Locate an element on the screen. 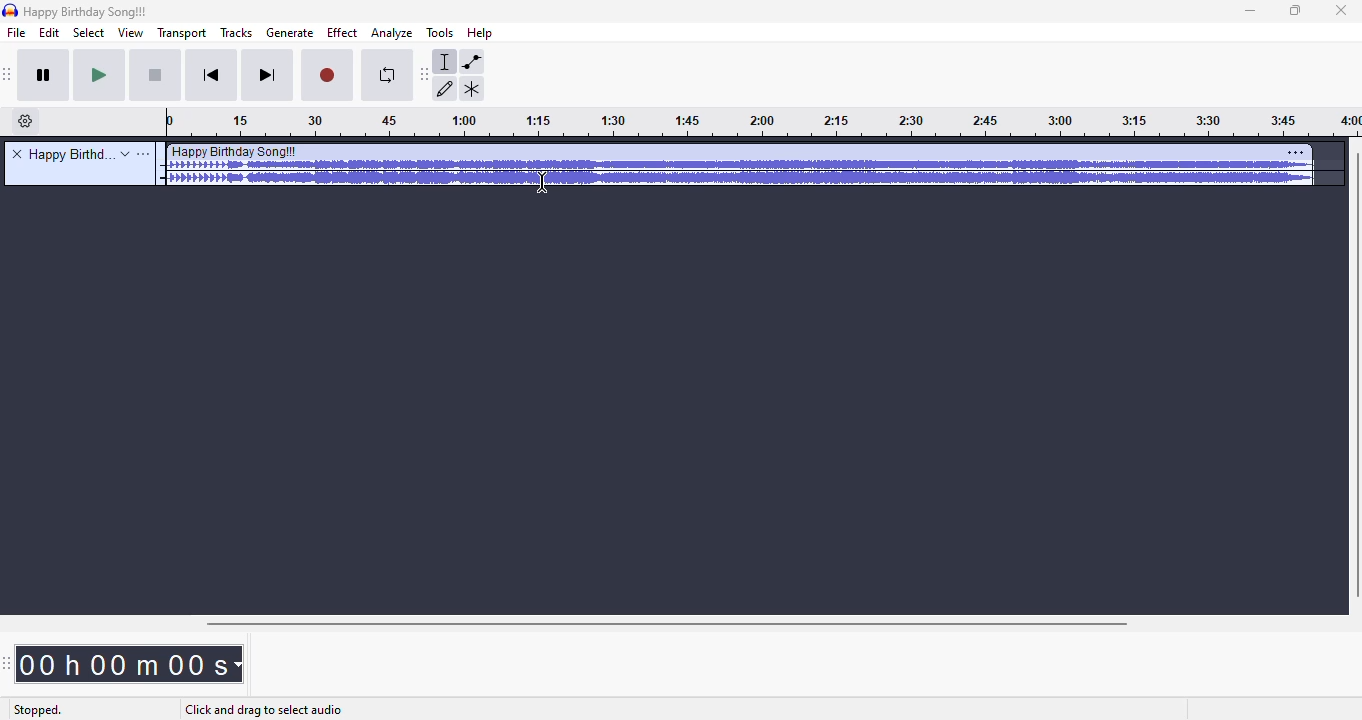 Image resolution: width=1362 pixels, height=720 pixels. edit is located at coordinates (50, 33).